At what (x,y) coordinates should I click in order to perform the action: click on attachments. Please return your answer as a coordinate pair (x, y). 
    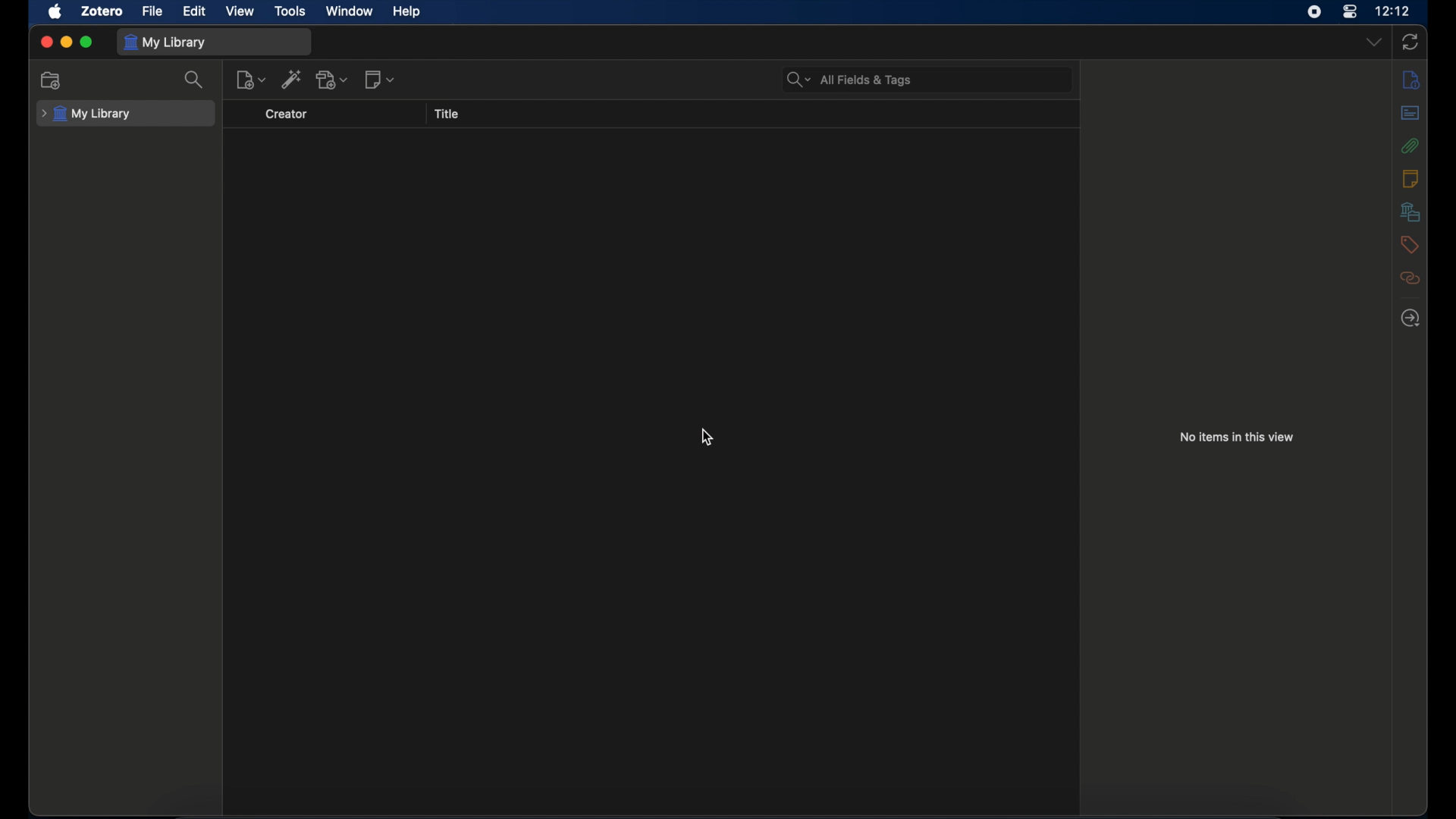
    Looking at the image, I should click on (1410, 146).